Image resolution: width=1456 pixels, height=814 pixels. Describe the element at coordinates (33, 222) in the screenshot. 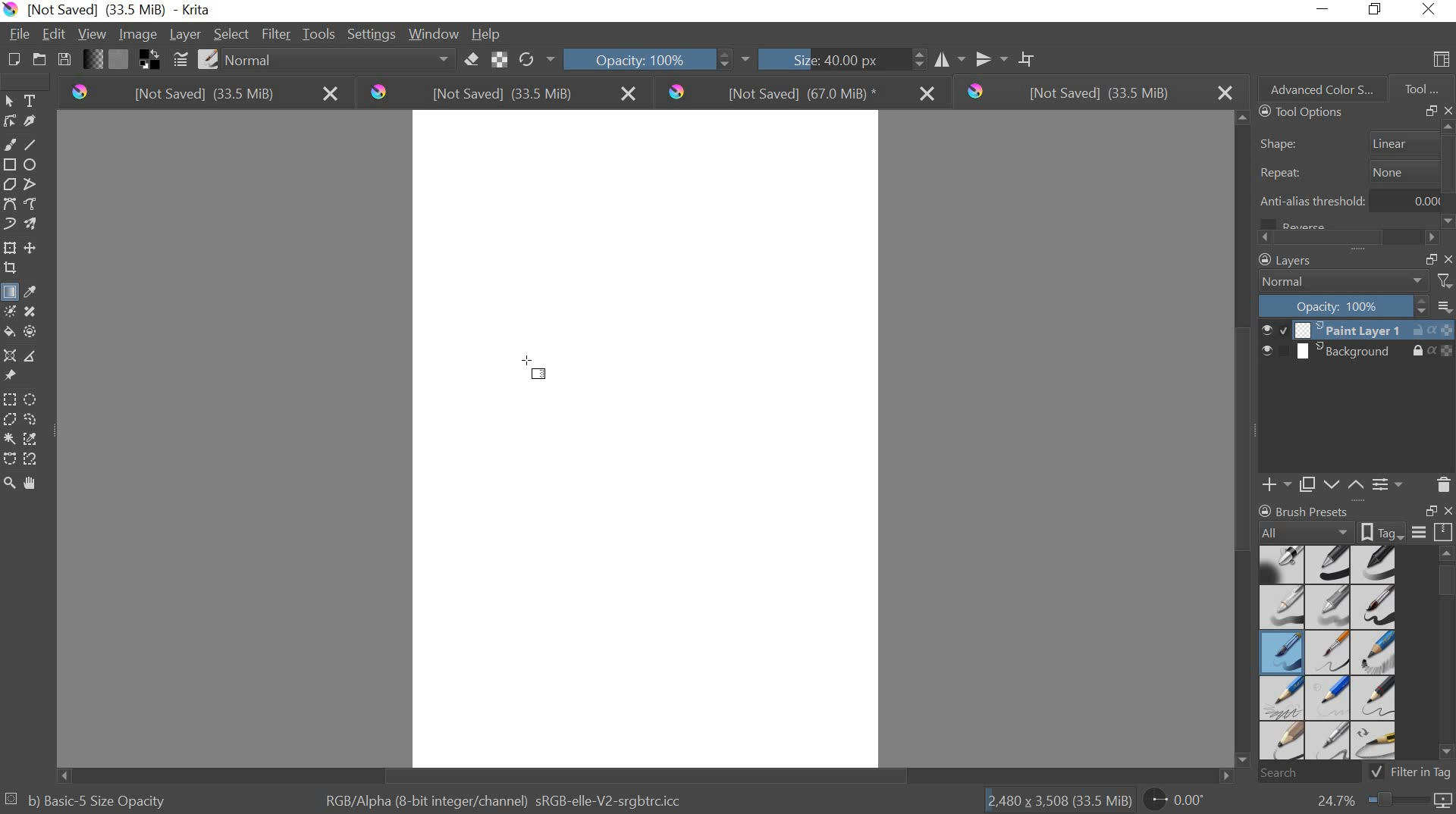

I see `multibrush tool` at that location.